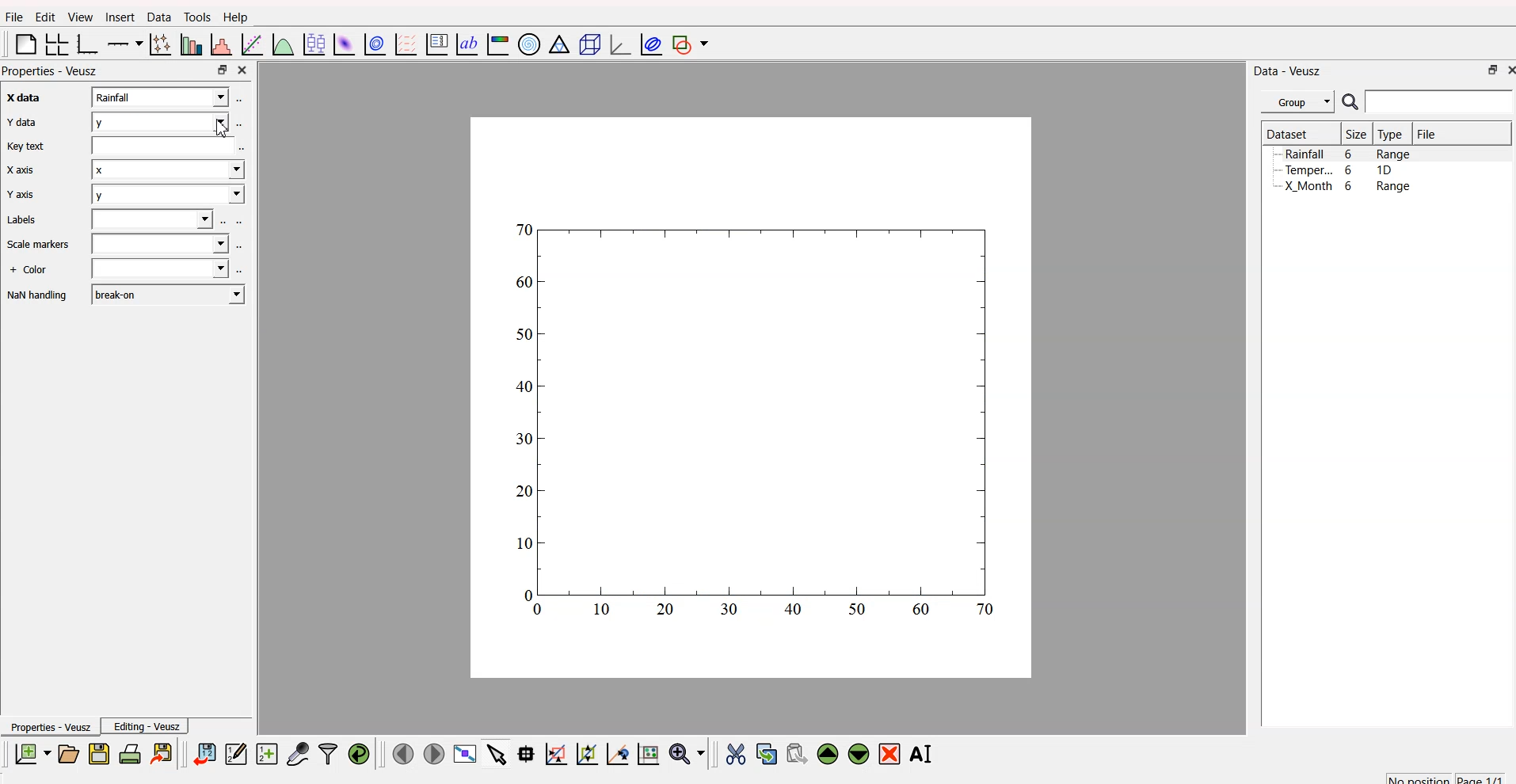 This screenshot has height=784, width=1516. I want to click on plot box plots, so click(314, 43).